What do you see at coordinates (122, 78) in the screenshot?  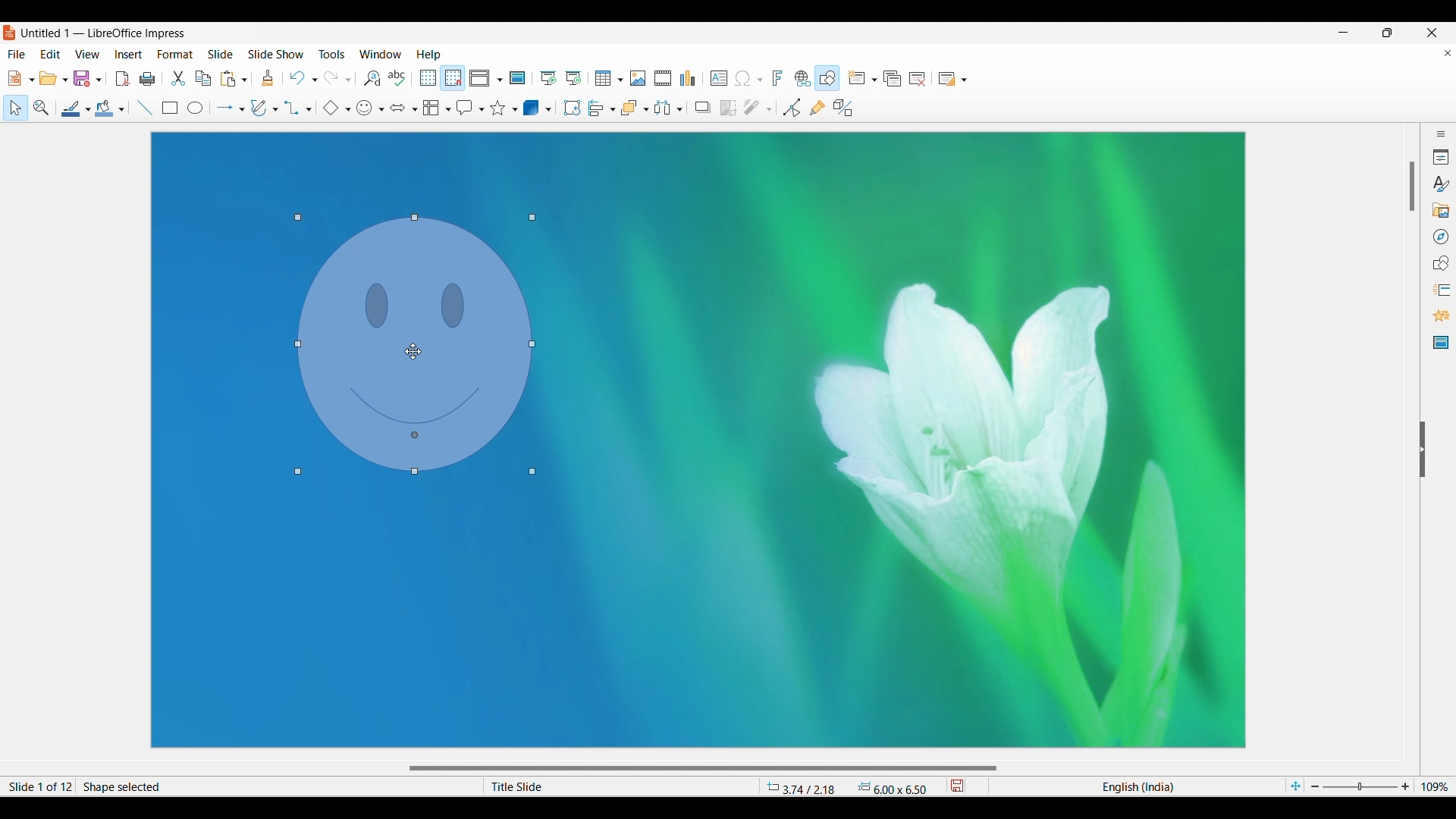 I see `Export directly as PDF` at bounding box center [122, 78].